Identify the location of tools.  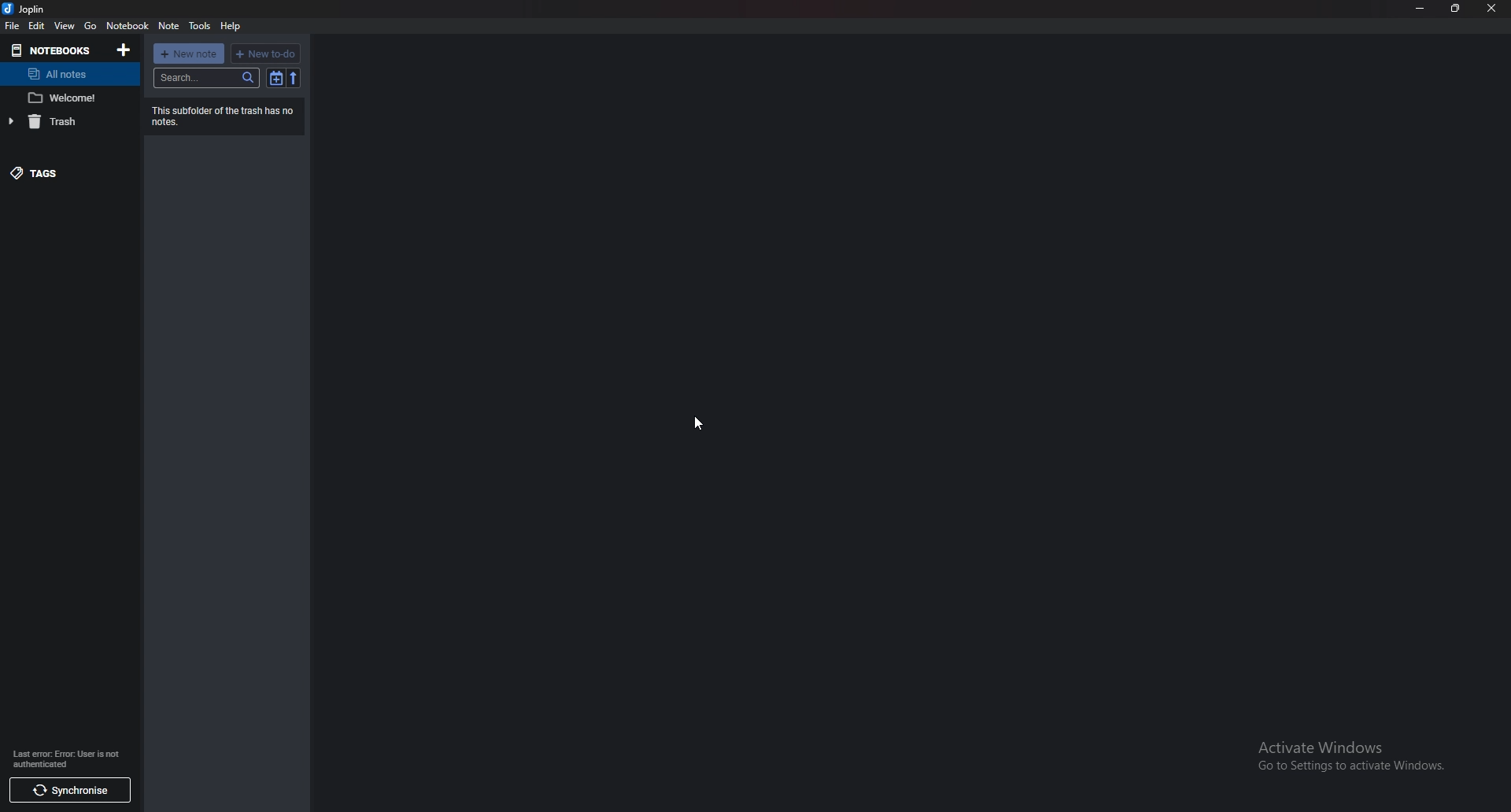
(201, 25).